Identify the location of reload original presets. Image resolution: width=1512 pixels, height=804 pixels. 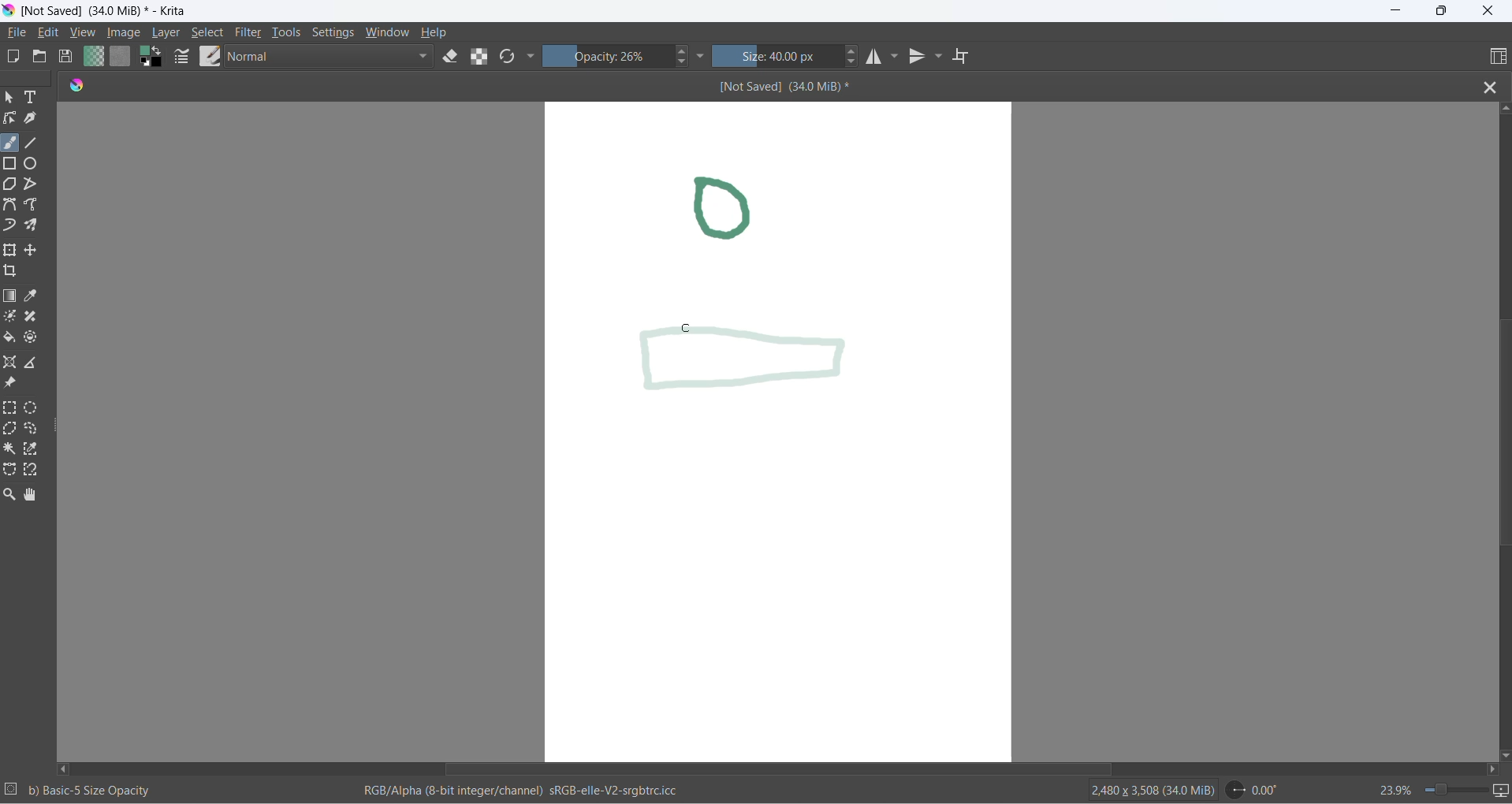
(508, 56).